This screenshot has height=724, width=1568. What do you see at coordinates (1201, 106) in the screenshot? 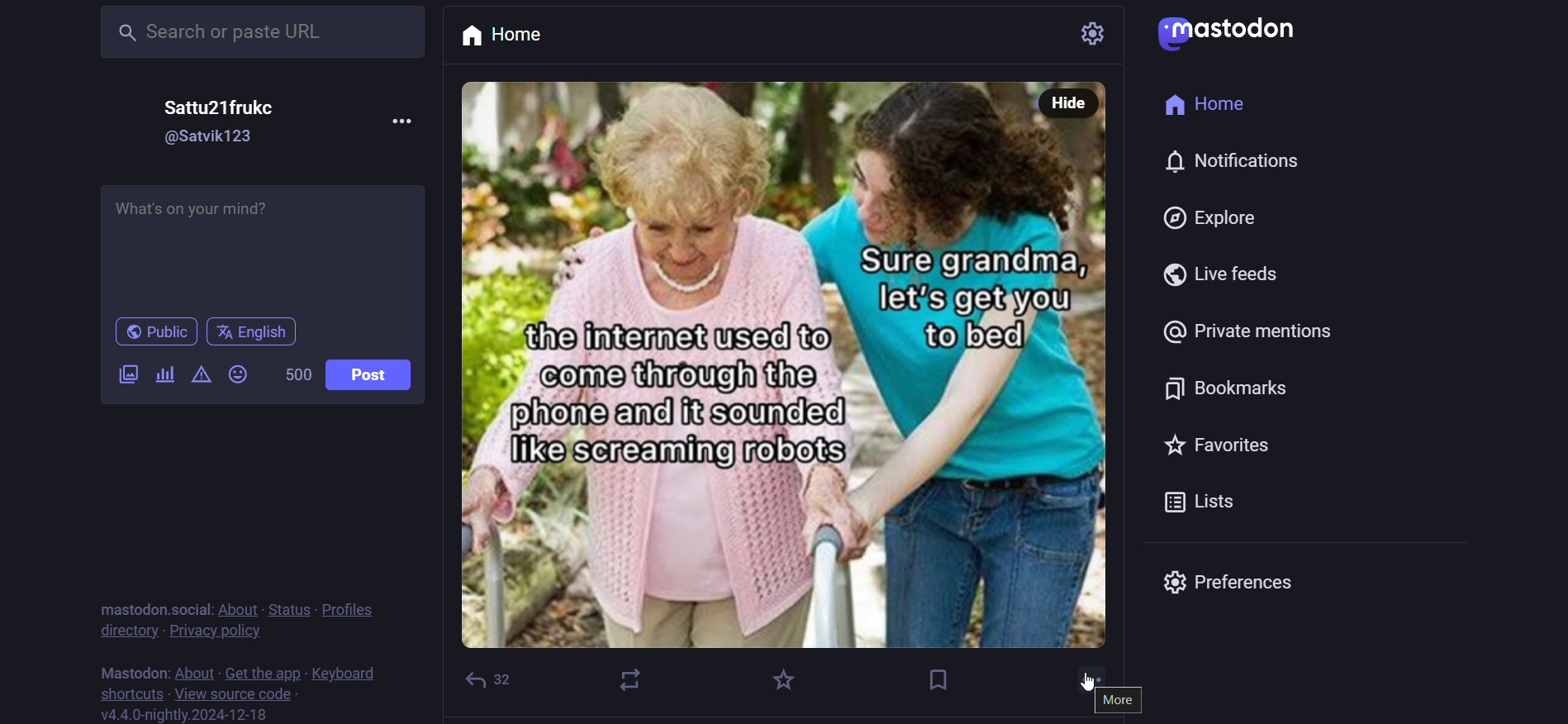
I see `home` at bounding box center [1201, 106].